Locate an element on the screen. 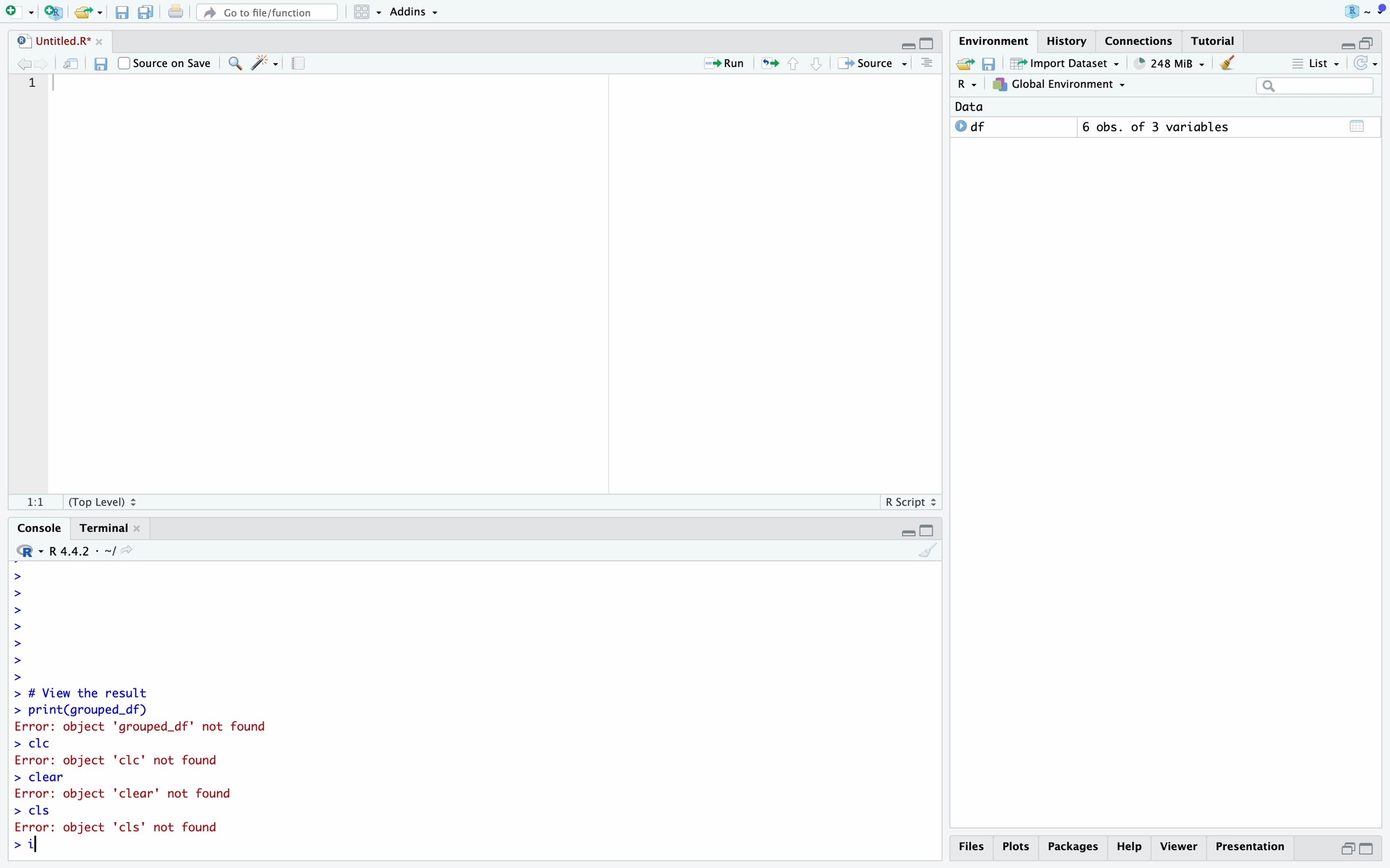 The height and width of the screenshot is (868, 1390). Go to next location is located at coordinates (43, 65).